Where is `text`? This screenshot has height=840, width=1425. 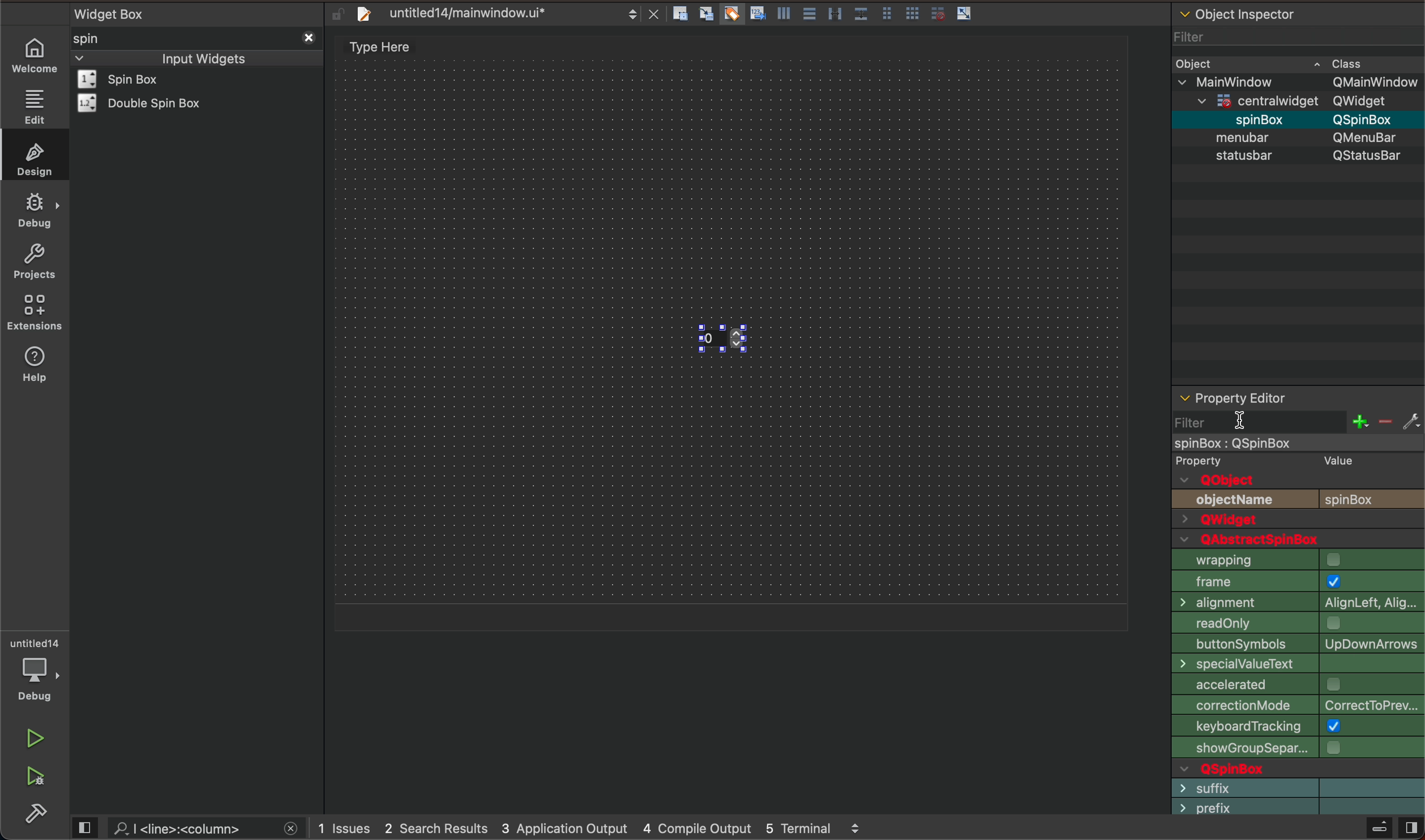
text is located at coordinates (1253, 540).